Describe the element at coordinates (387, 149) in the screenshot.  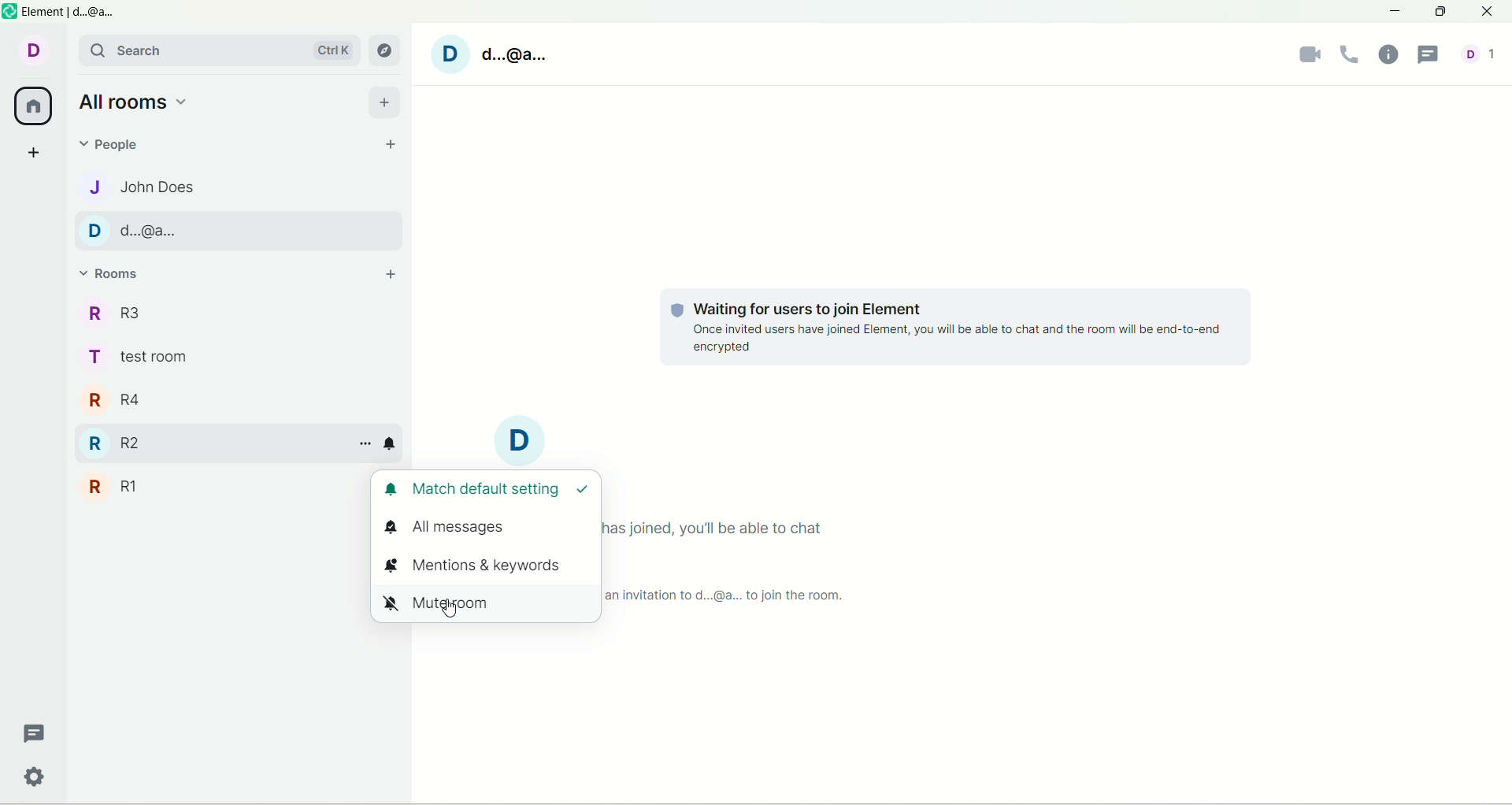
I see `start chat` at that location.